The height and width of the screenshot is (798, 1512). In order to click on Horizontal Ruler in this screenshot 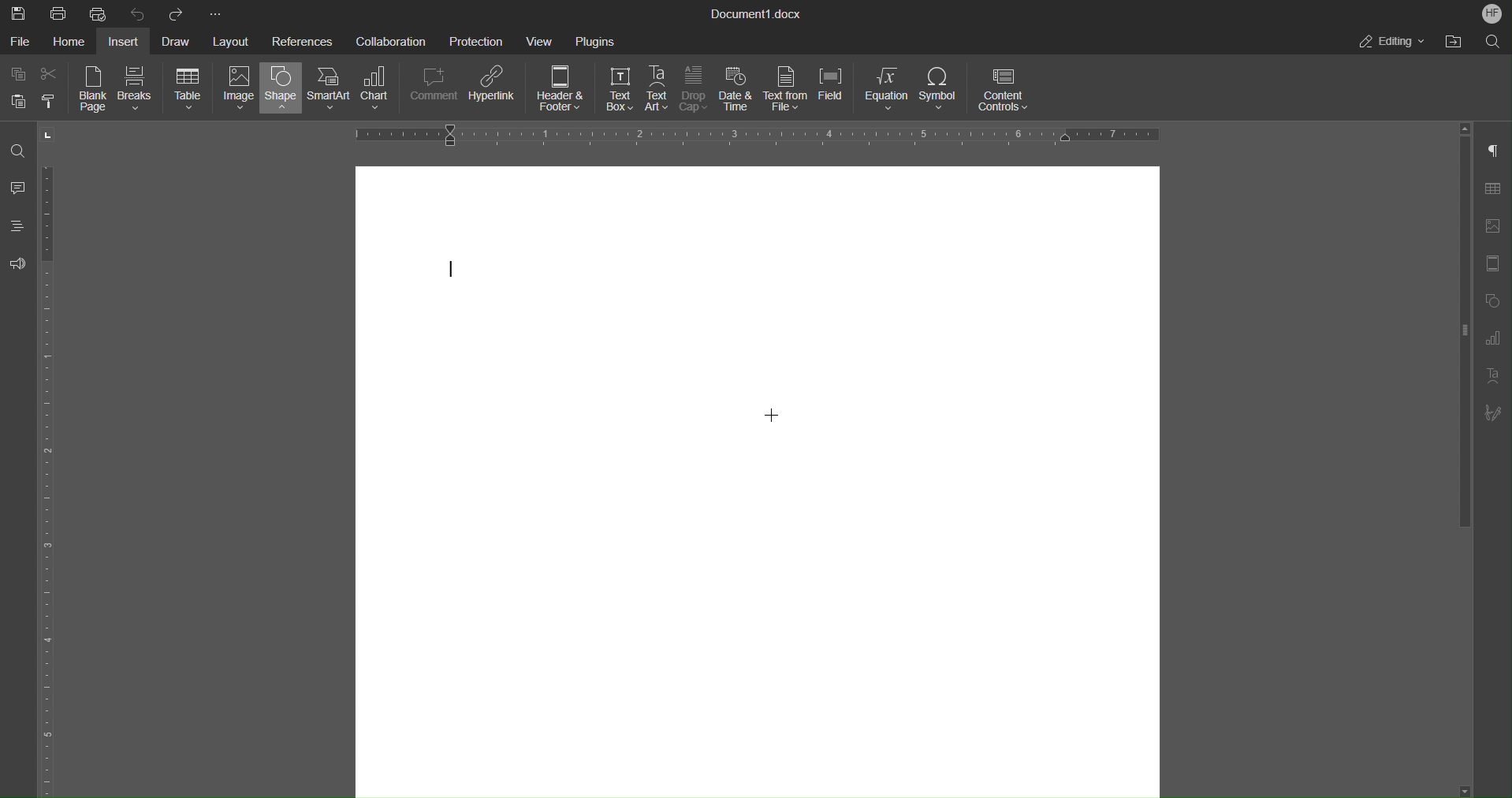, I will do `click(54, 480)`.